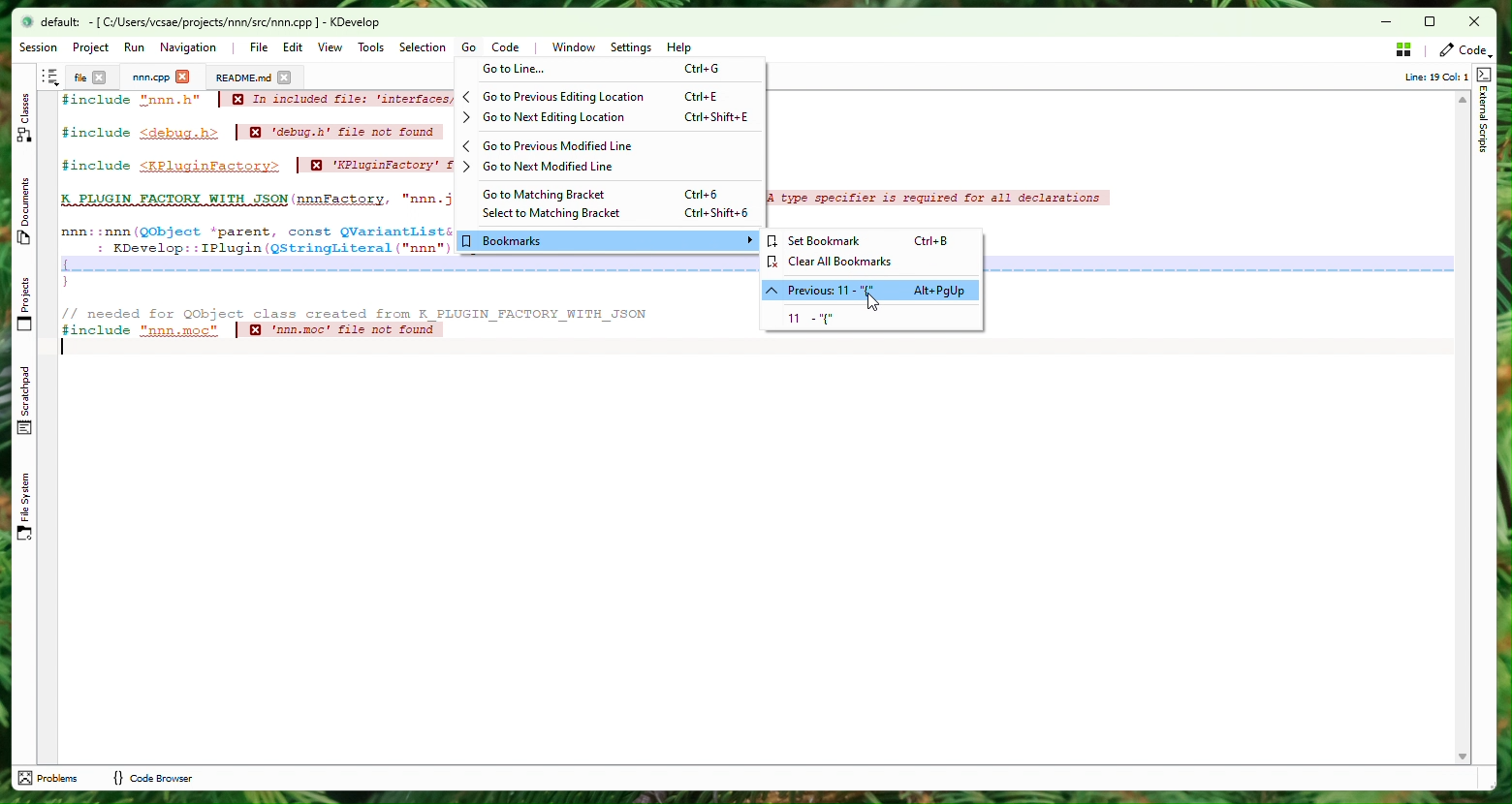 This screenshot has width=1512, height=804. What do you see at coordinates (1476, 22) in the screenshot?
I see `Close` at bounding box center [1476, 22].